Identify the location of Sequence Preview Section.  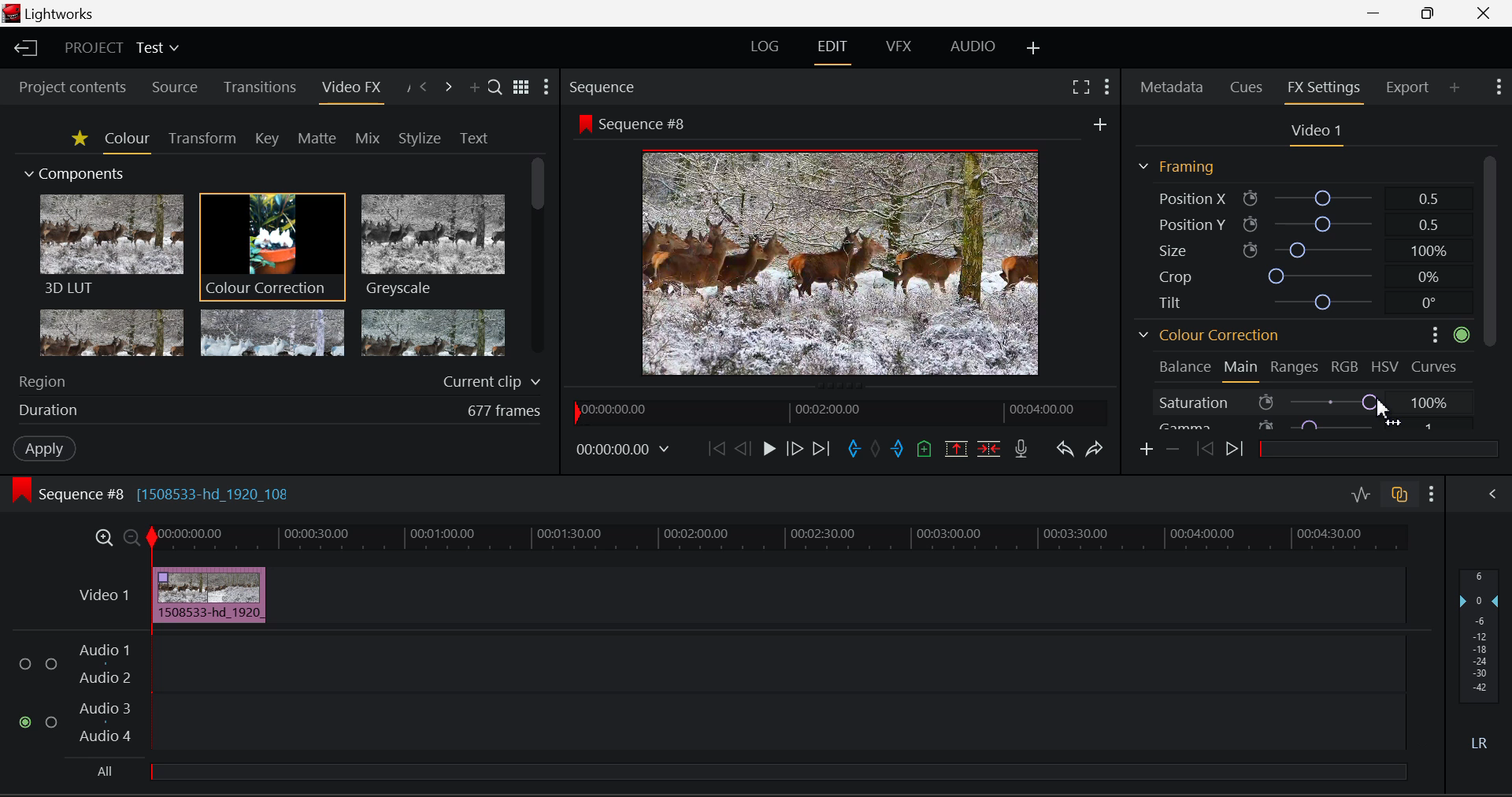
(606, 88).